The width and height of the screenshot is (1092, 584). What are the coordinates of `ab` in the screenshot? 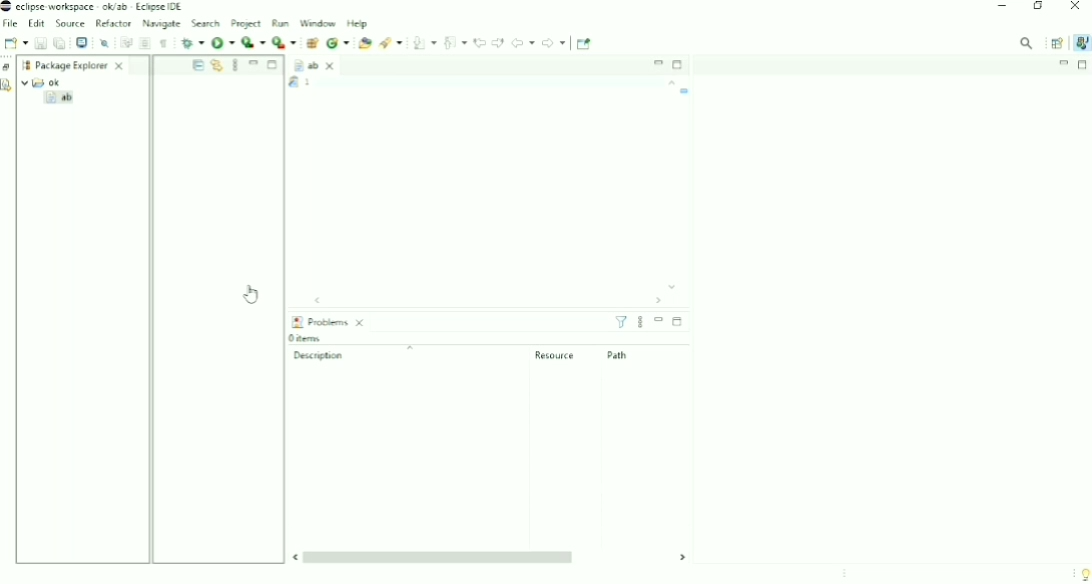 It's located at (315, 66).